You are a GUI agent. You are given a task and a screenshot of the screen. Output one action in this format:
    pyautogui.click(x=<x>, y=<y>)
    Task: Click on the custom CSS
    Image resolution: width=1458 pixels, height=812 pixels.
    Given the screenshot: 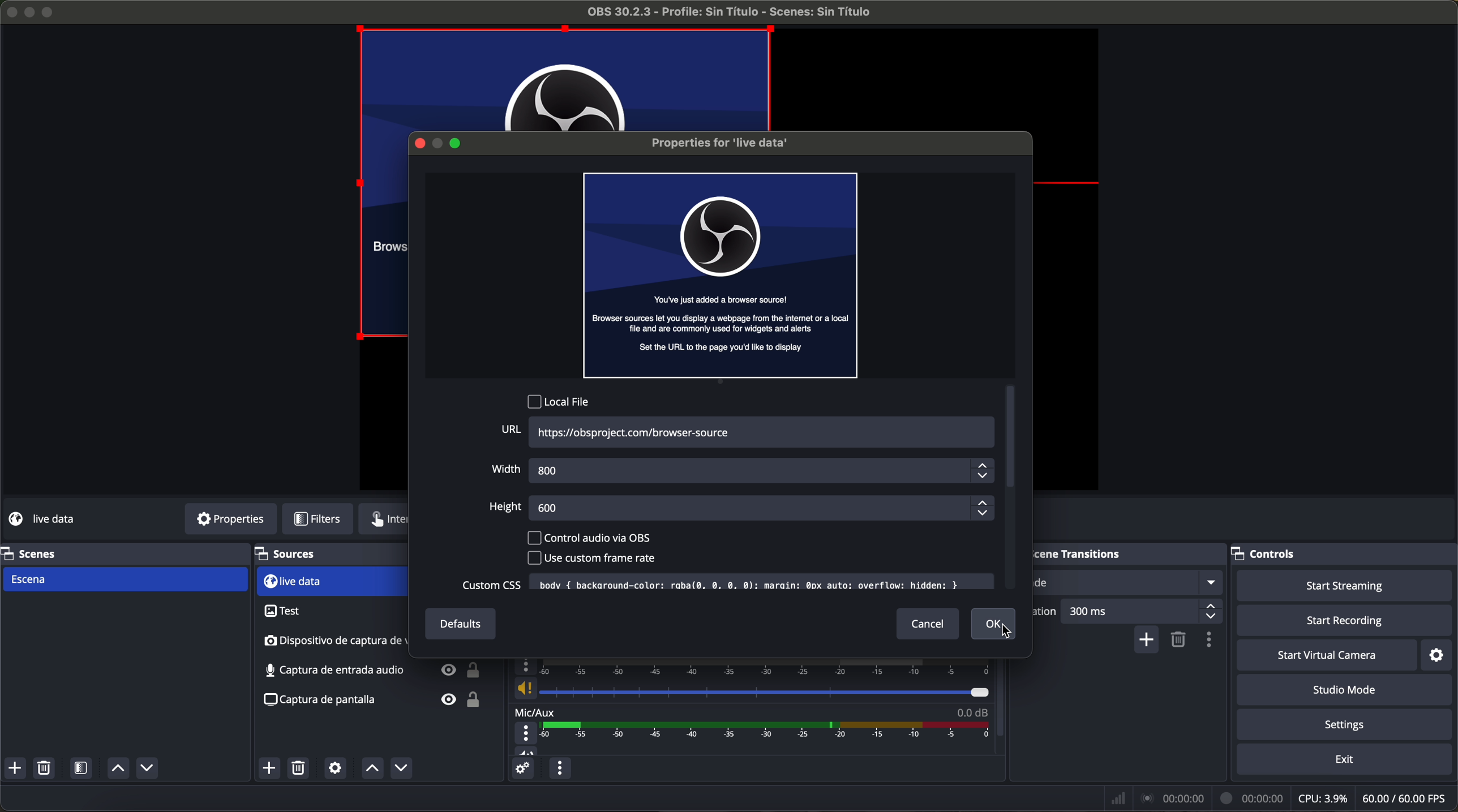 What is the action you would take?
    pyautogui.click(x=488, y=584)
    